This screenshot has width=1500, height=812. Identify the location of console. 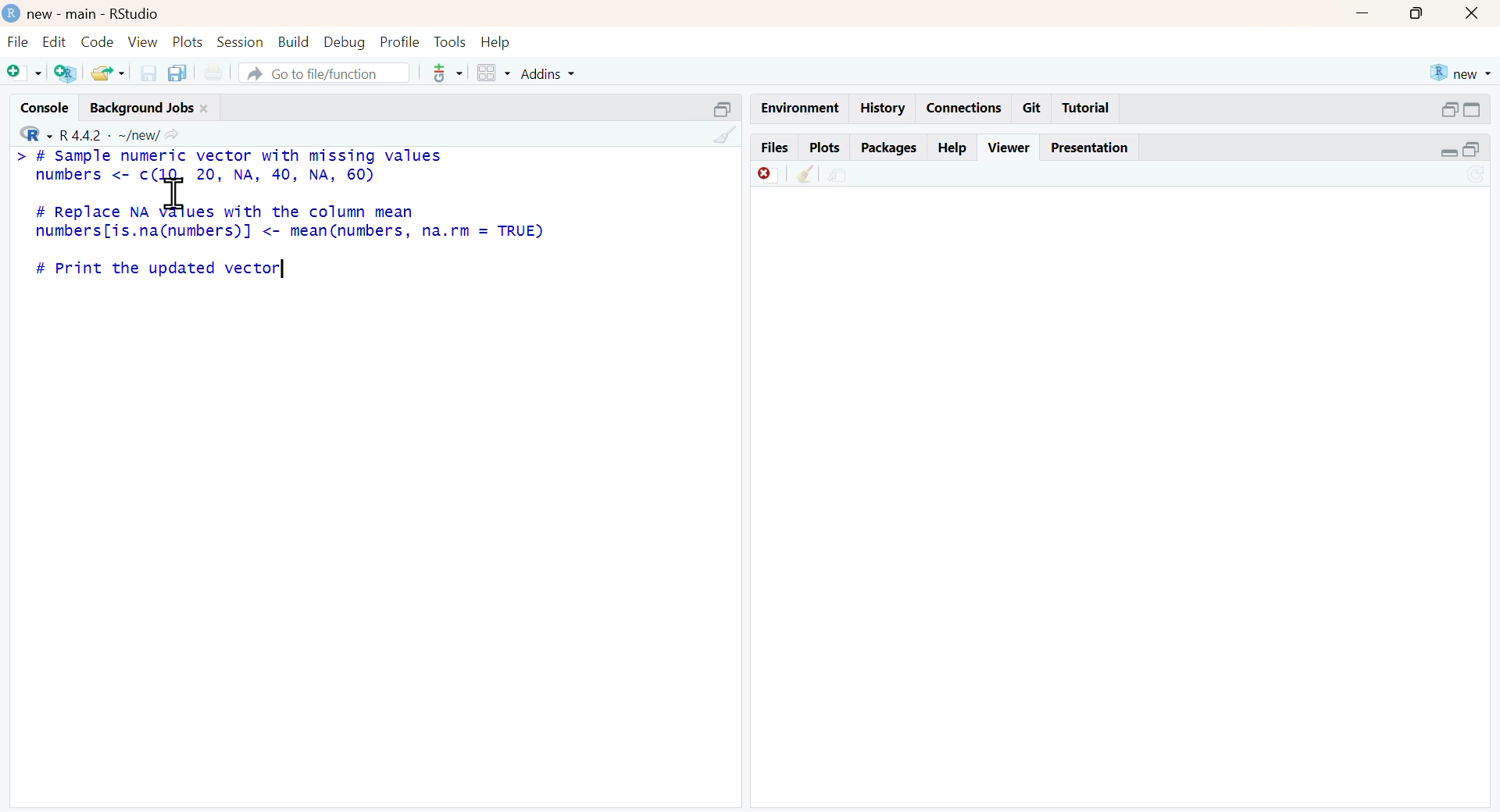
(45, 107).